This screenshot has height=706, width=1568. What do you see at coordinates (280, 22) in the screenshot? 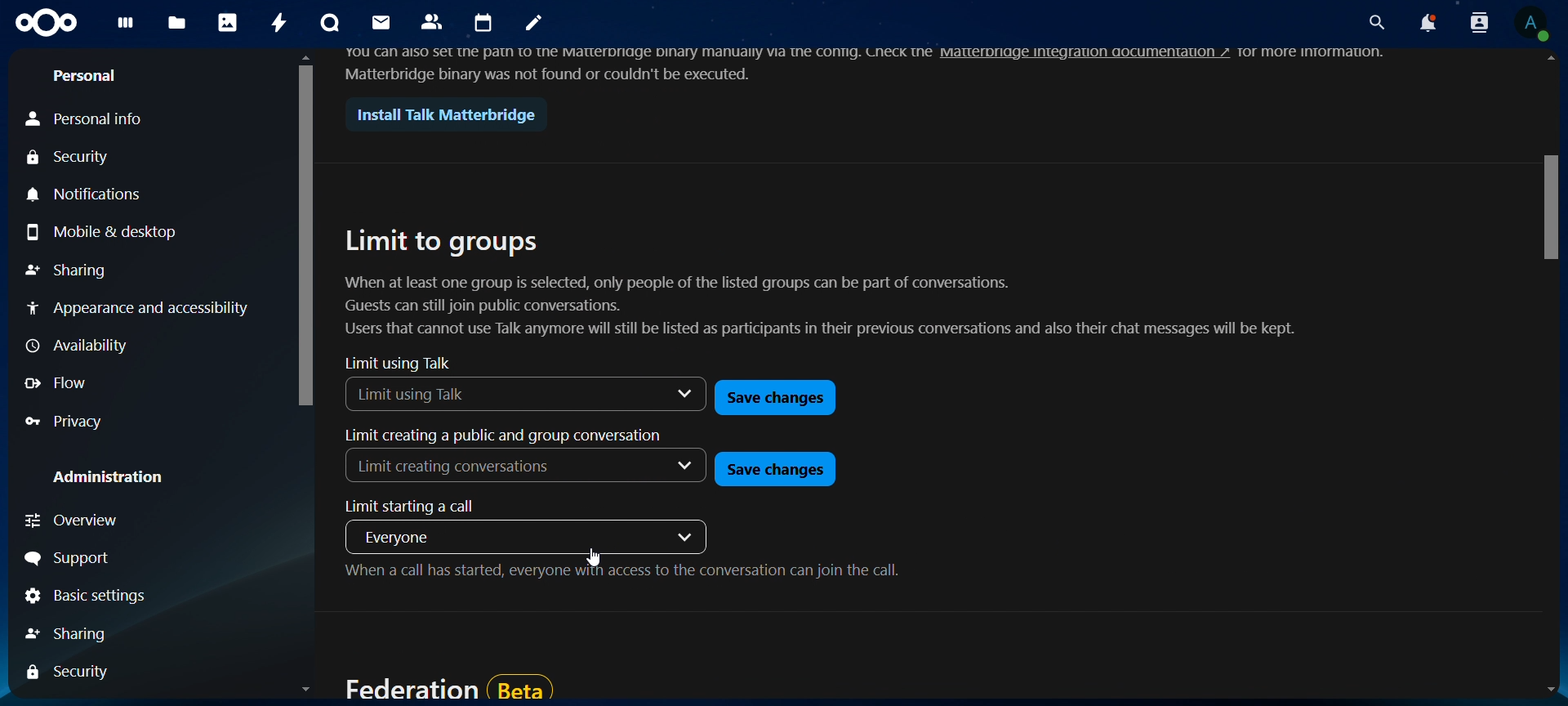
I see `activity` at bounding box center [280, 22].